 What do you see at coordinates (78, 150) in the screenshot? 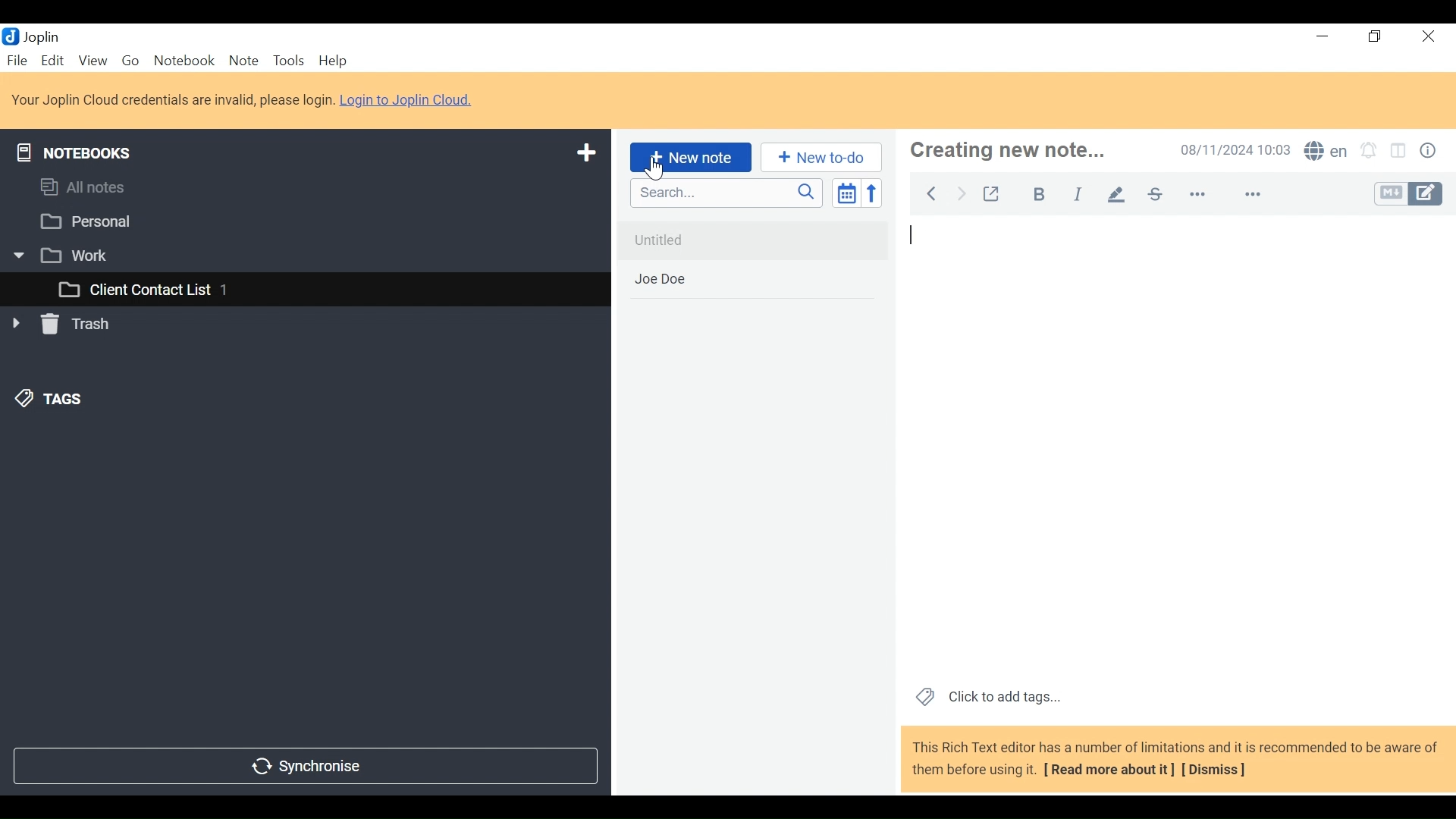
I see `Notebooks` at bounding box center [78, 150].